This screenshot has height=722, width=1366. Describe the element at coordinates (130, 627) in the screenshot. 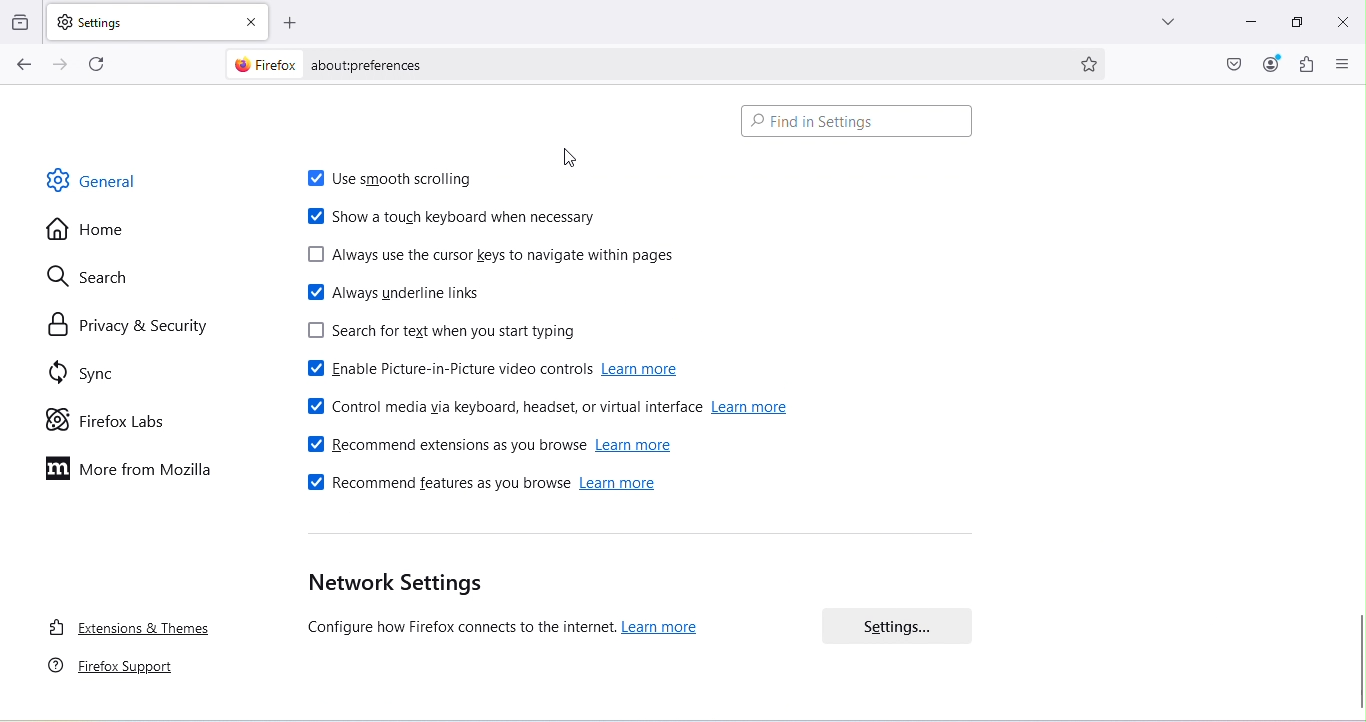

I see `Extensions and themes` at that location.